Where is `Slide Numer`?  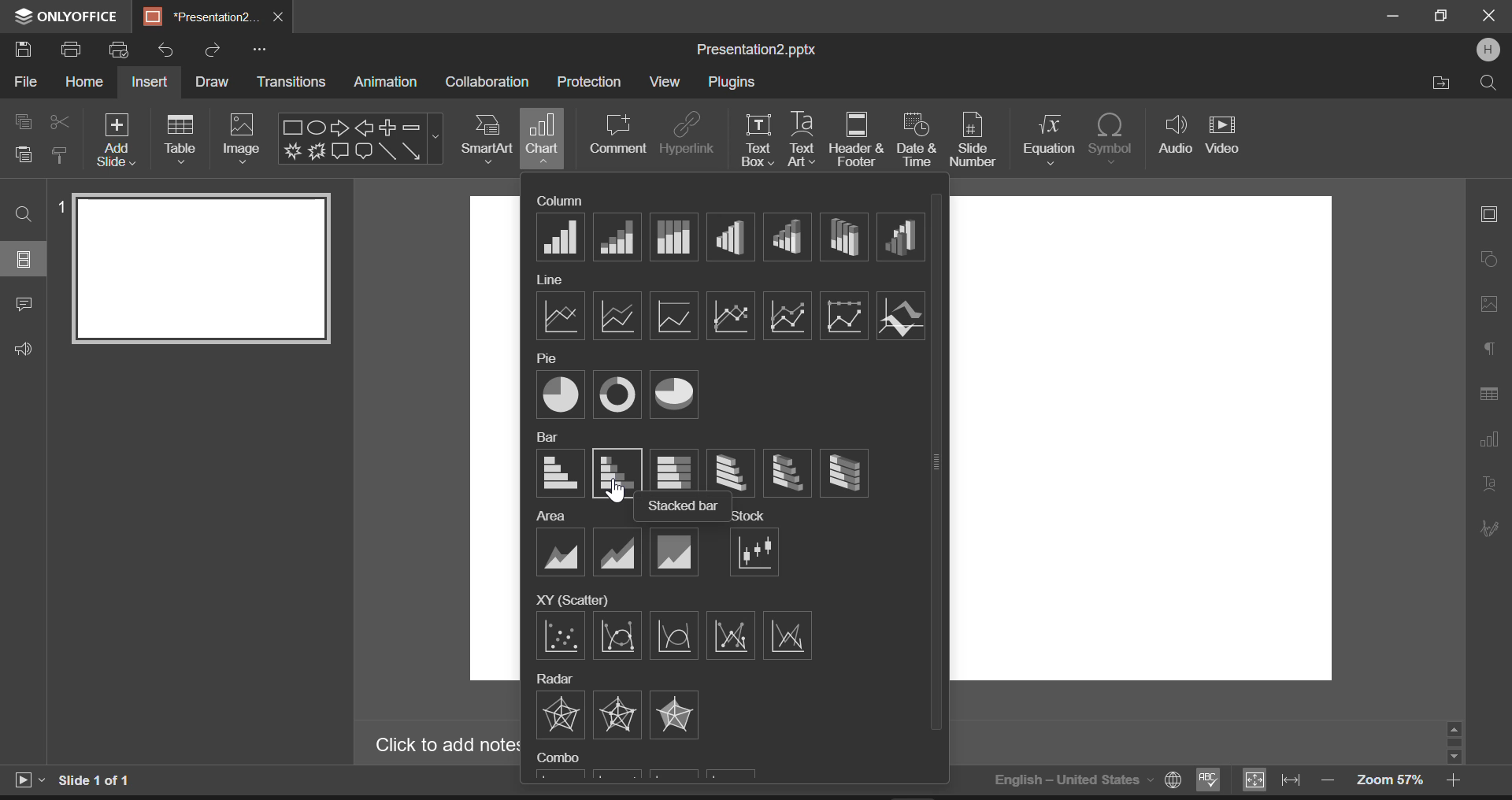 Slide Numer is located at coordinates (975, 138).